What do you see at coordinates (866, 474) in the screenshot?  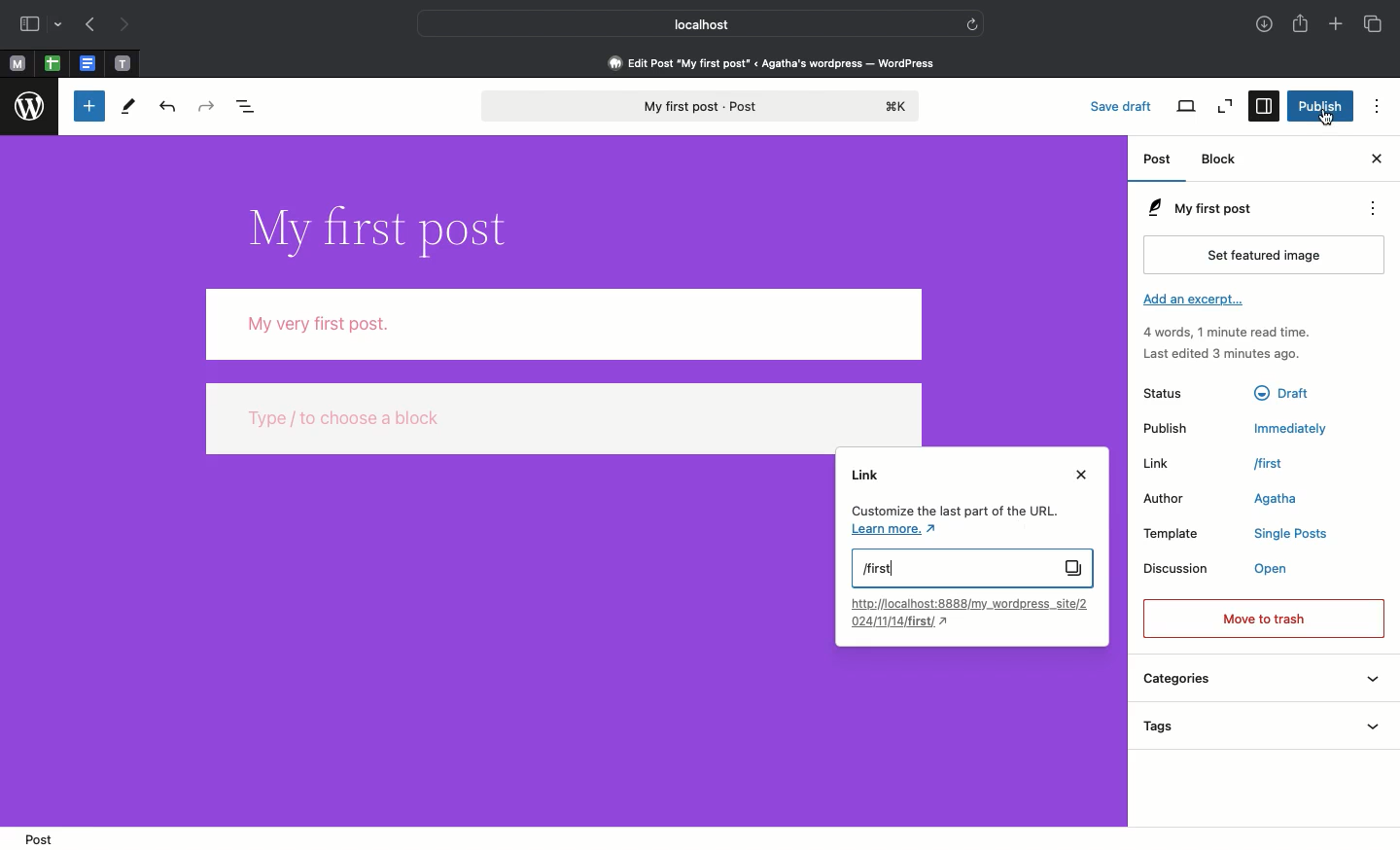 I see `Link` at bounding box center [866, 474].